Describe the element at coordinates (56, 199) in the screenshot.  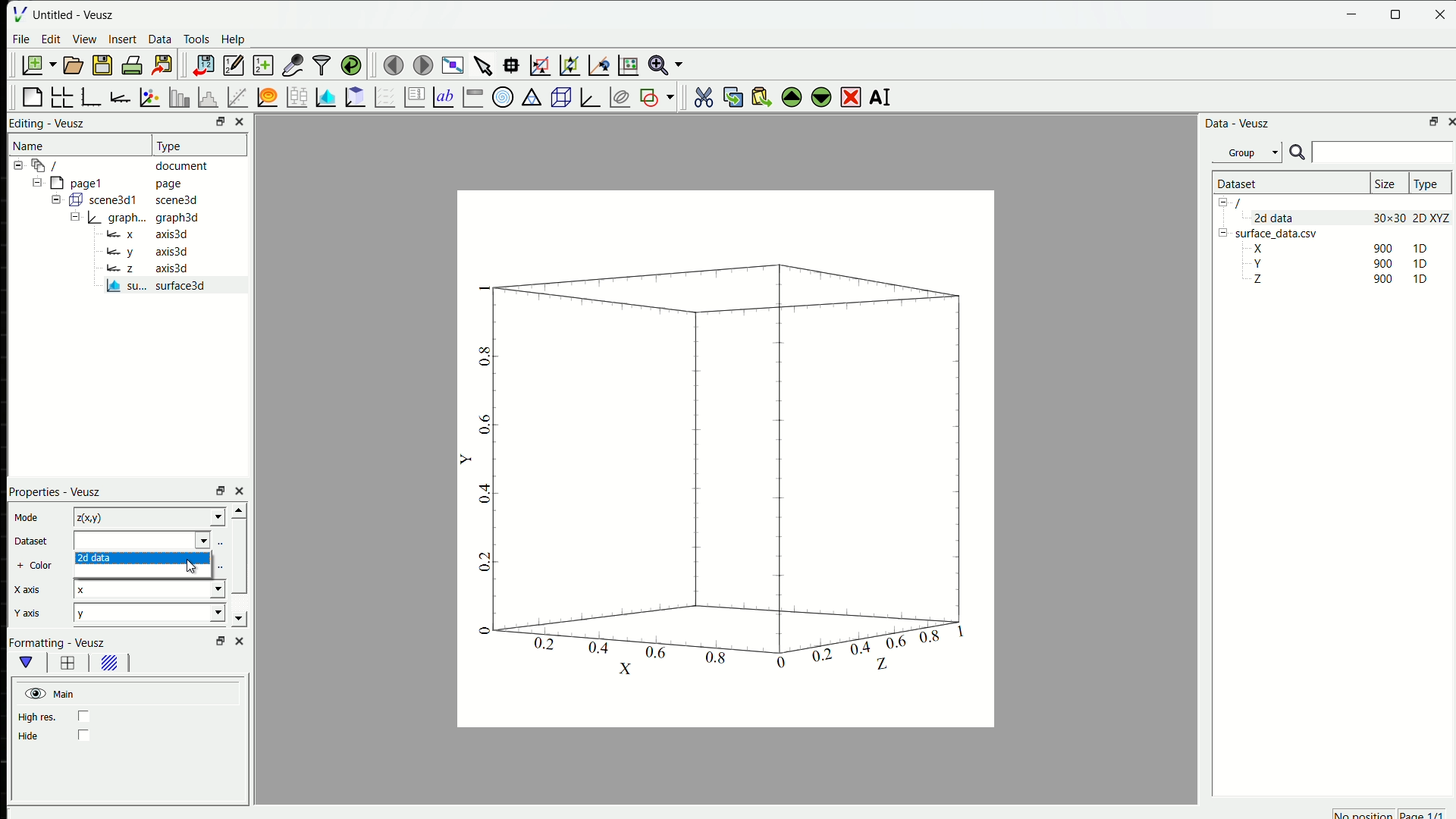
I see `Collapse /expand` at that location.